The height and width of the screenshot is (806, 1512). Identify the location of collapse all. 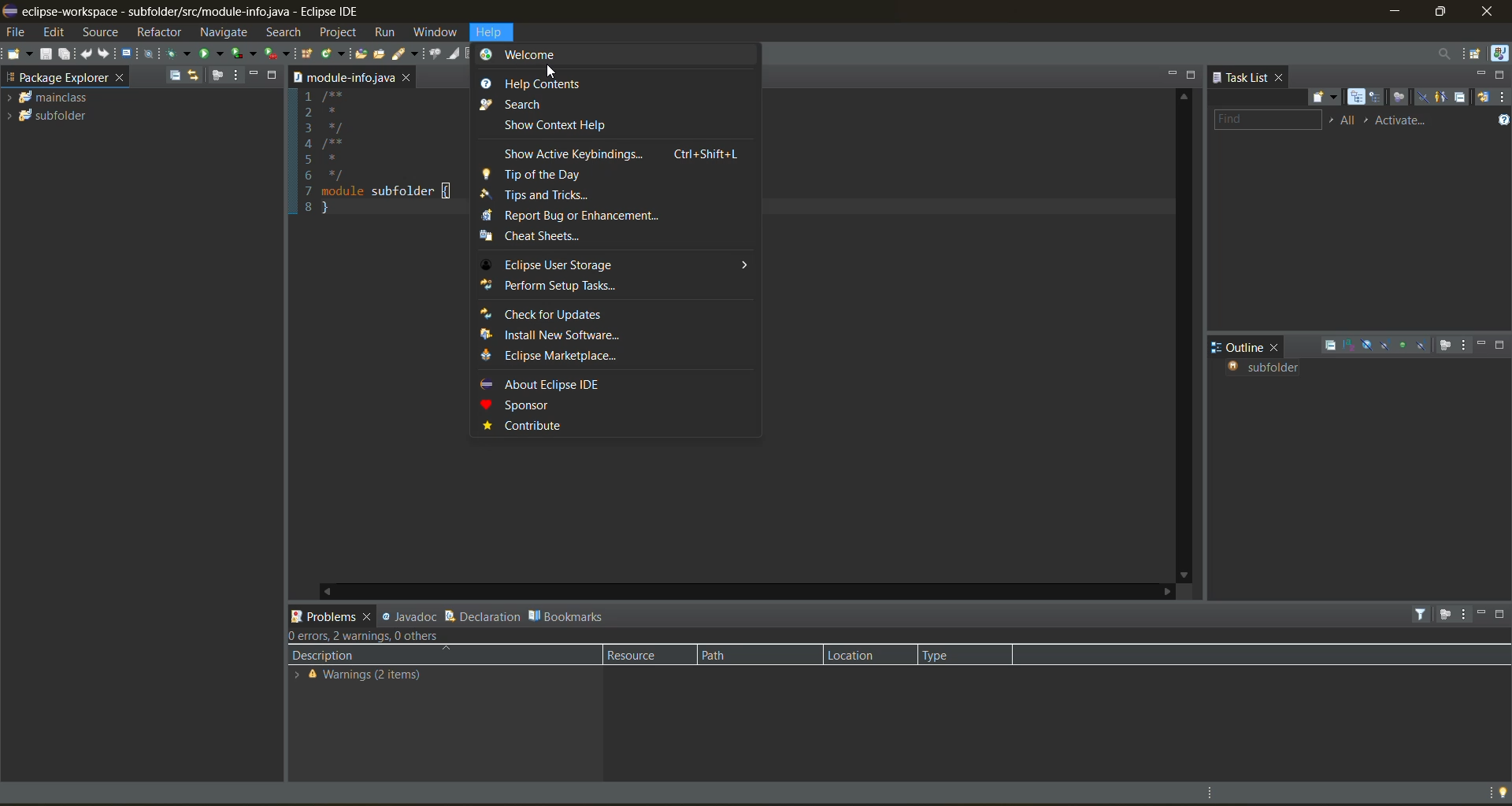
(1331, 346).